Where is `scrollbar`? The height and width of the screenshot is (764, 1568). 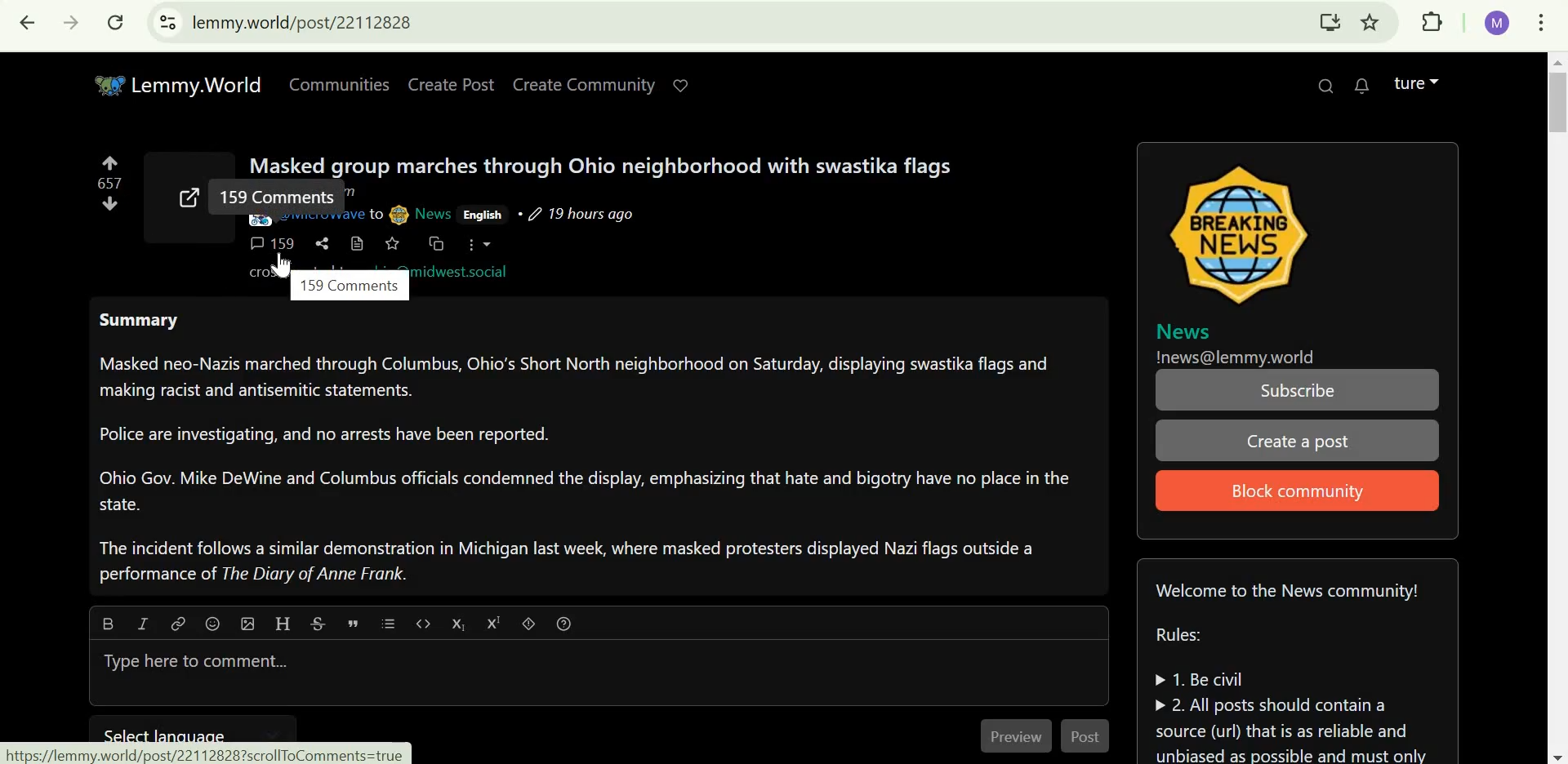 scrollbar is located at coordinates (1552, 408).